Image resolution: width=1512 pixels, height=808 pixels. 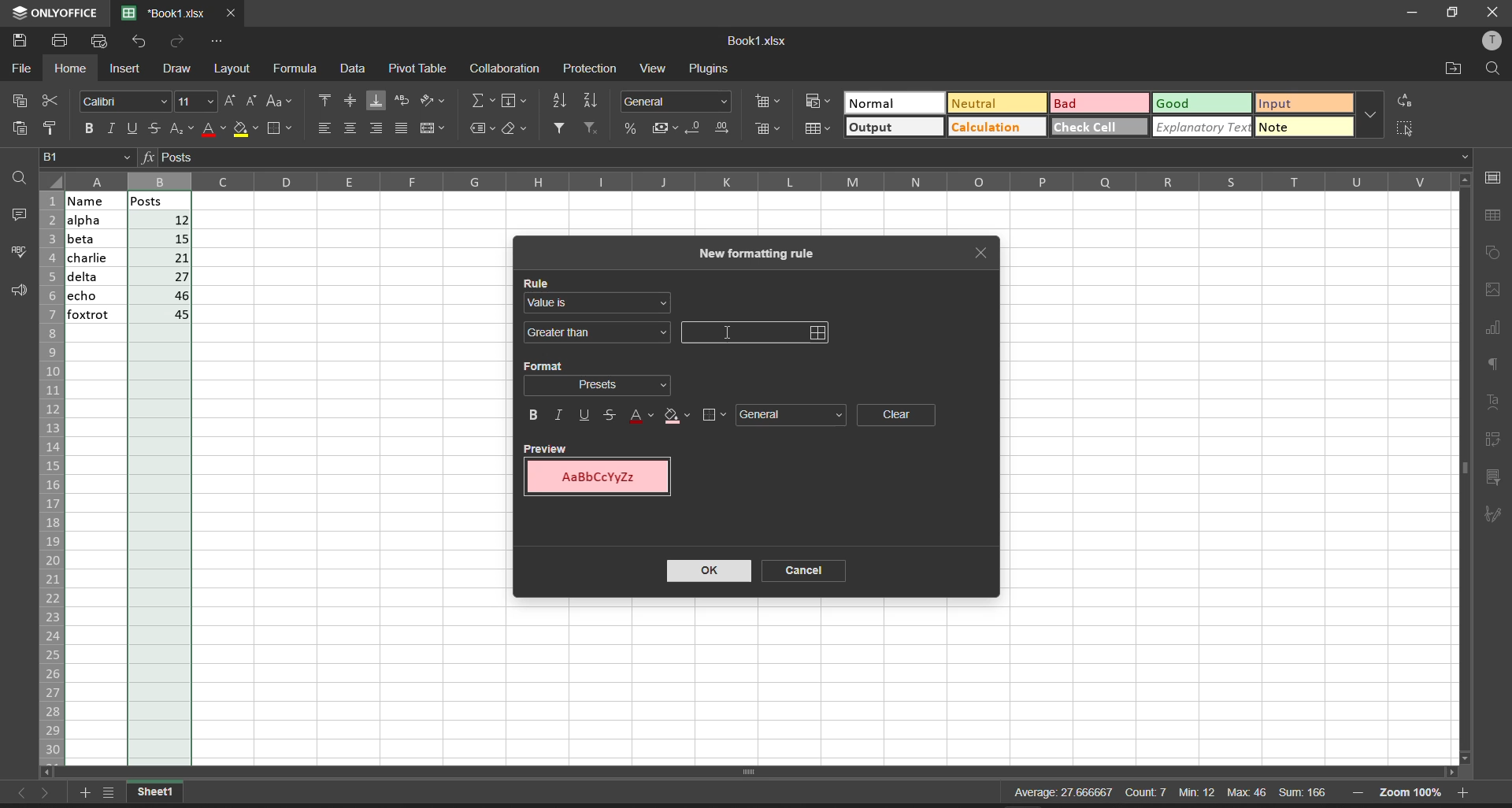 I want to click on Bad, so click(x=1069, y=103).